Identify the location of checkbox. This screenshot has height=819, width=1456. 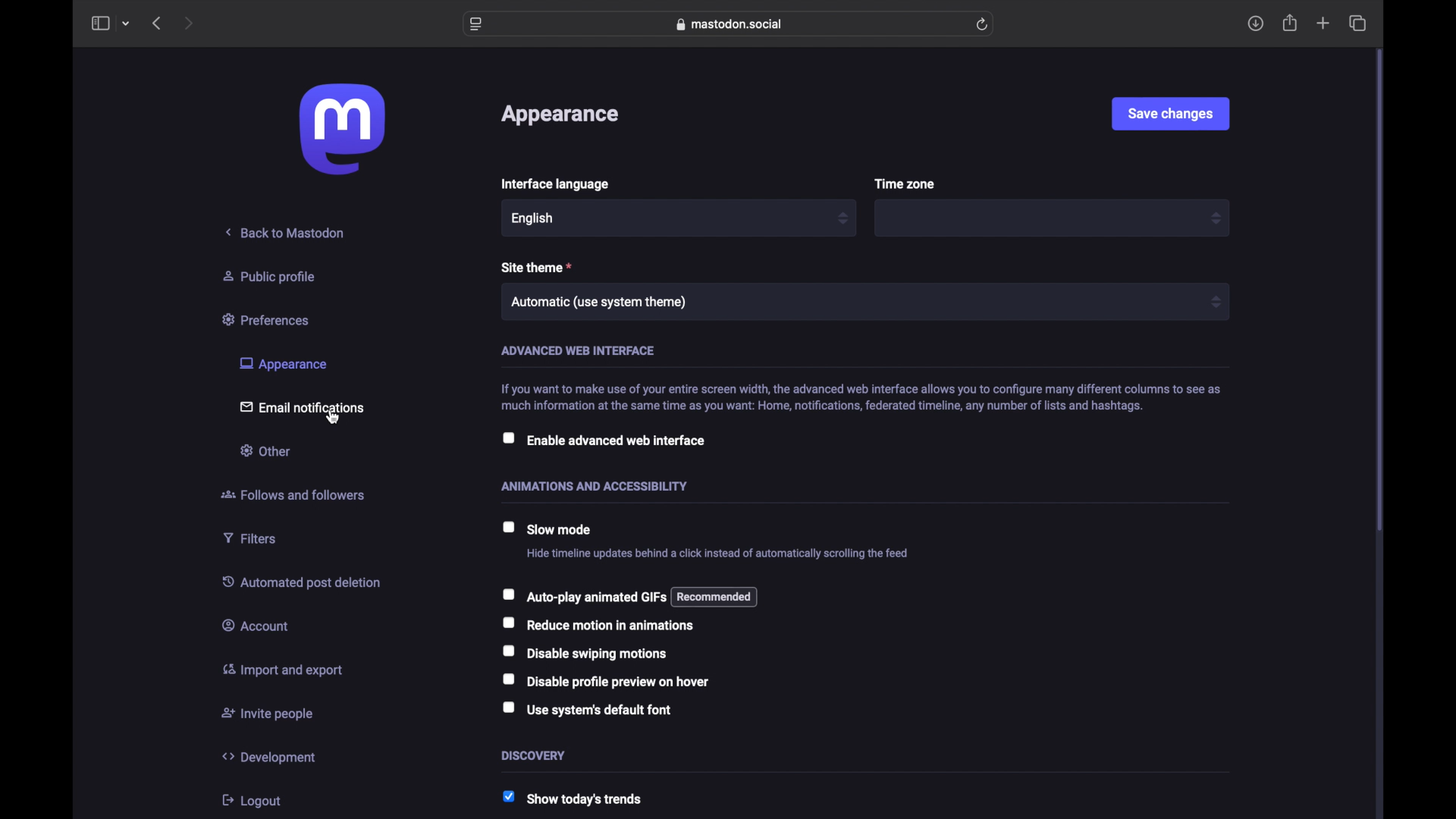
(584, 654).